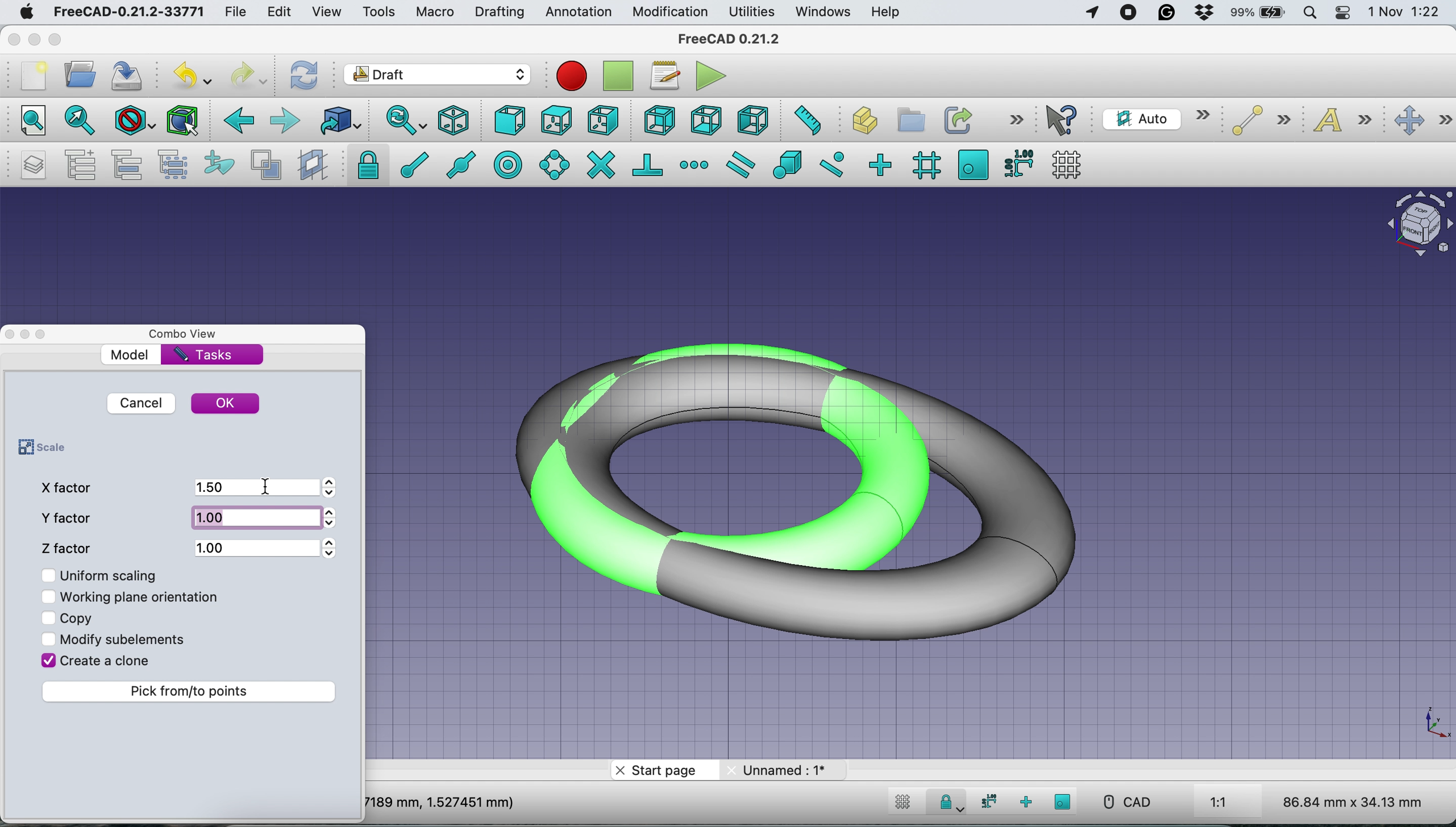  I want to click on snap extension, so click(694, 164).